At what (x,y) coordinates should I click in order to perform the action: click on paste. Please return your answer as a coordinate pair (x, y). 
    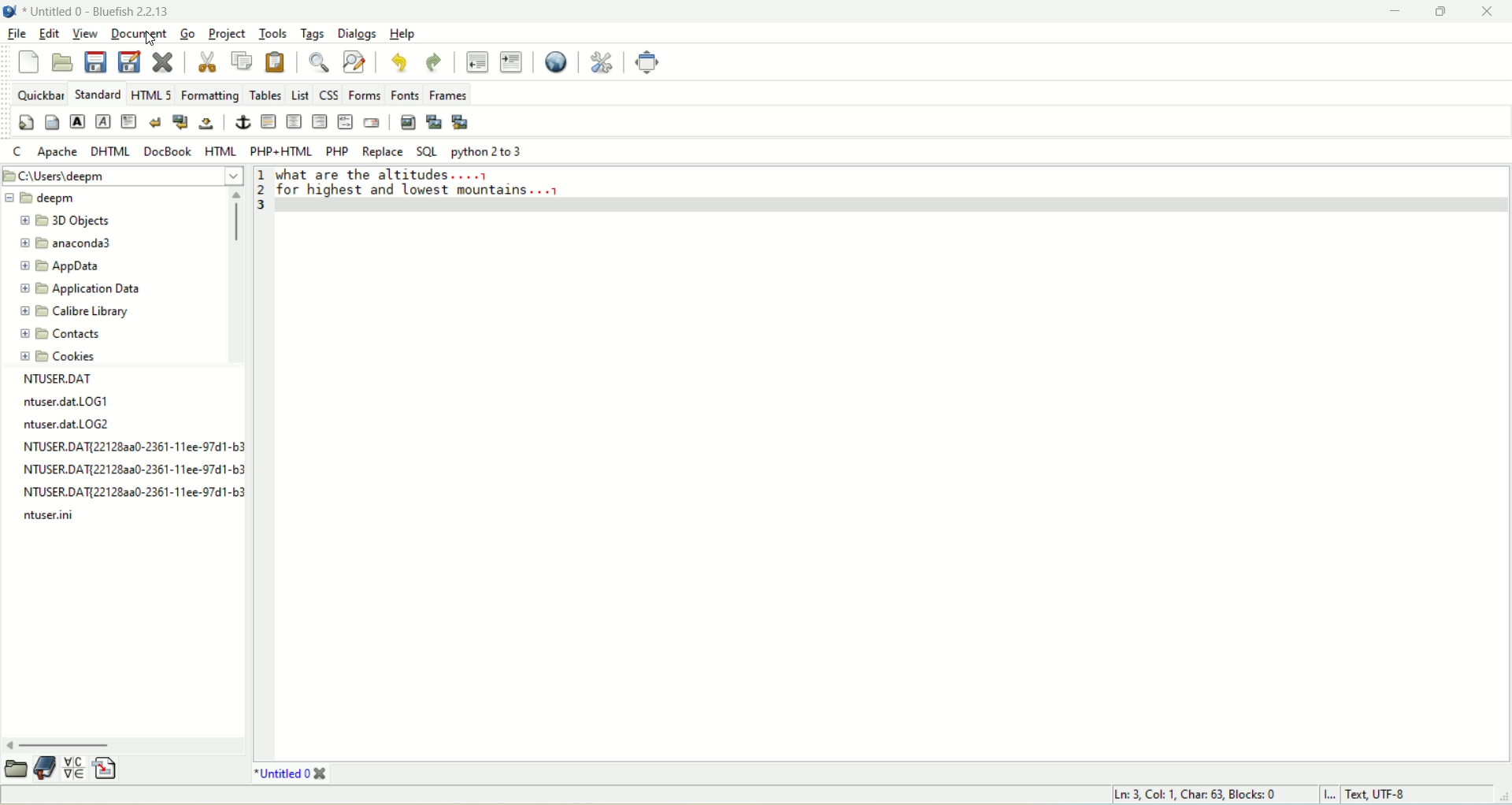
    Looking at the image, I should click on (276, 61).